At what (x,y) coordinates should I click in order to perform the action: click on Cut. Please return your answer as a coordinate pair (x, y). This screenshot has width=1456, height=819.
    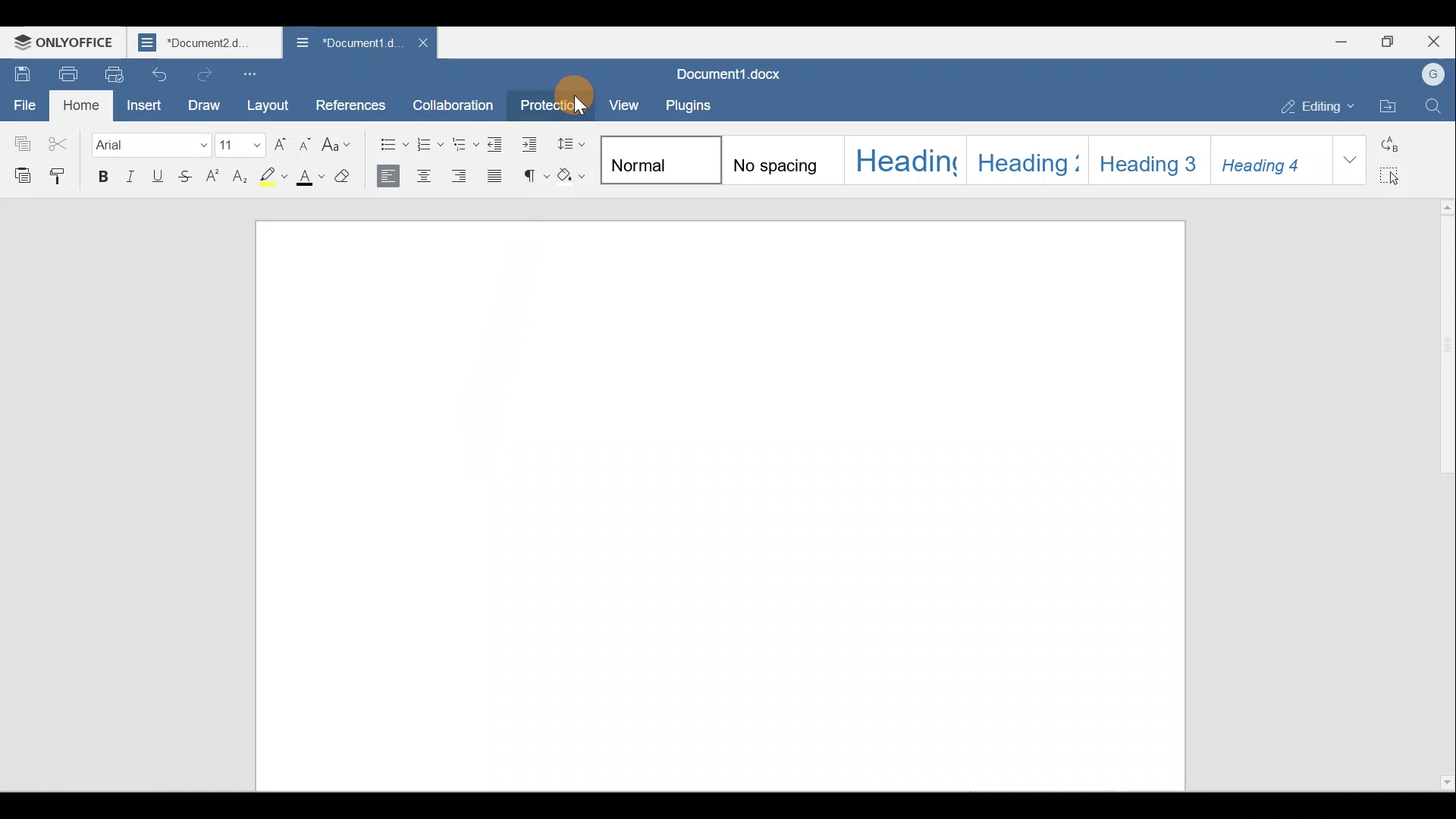
    Looking at the image, I should click on (60, 140).